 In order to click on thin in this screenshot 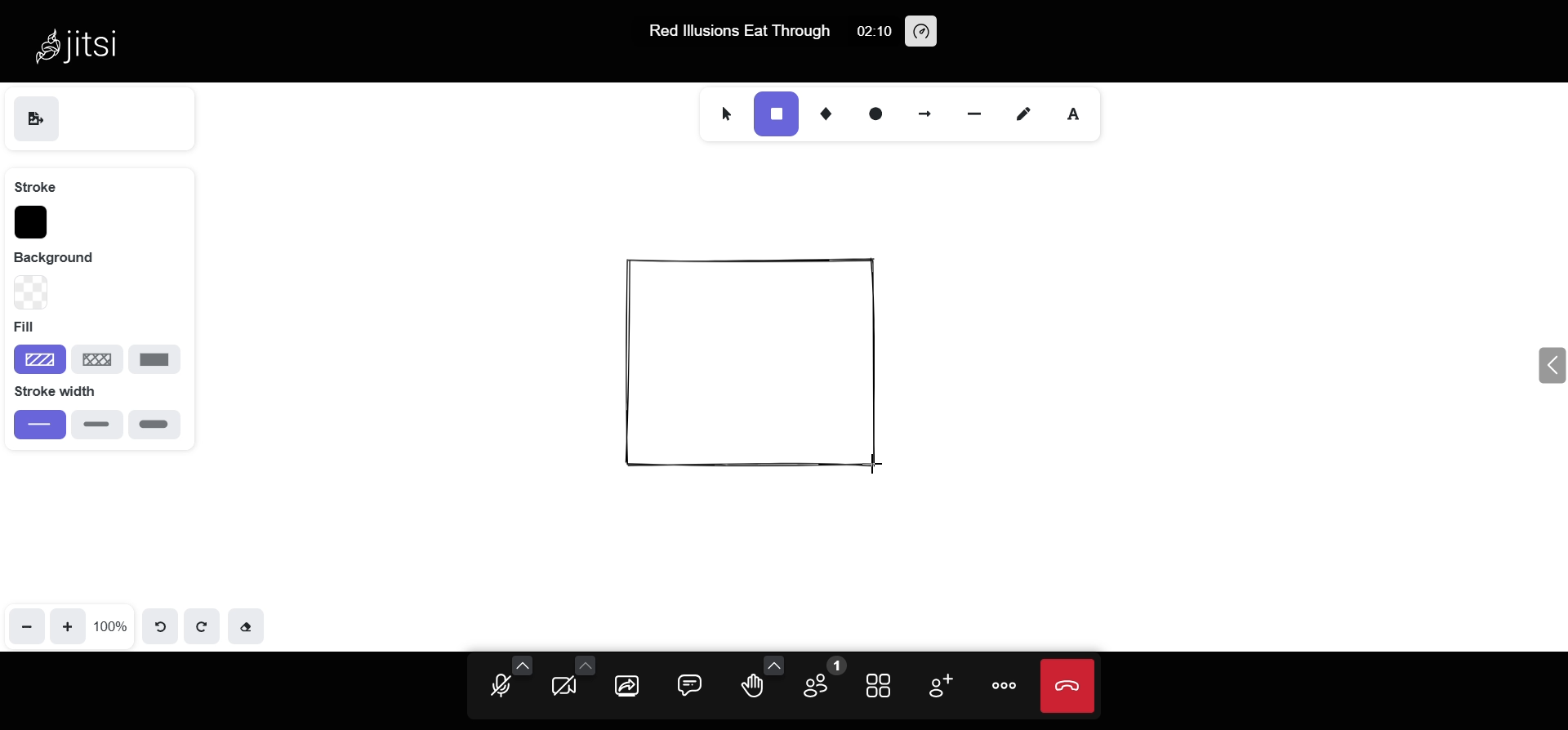, I will do `click(39, 425)`.